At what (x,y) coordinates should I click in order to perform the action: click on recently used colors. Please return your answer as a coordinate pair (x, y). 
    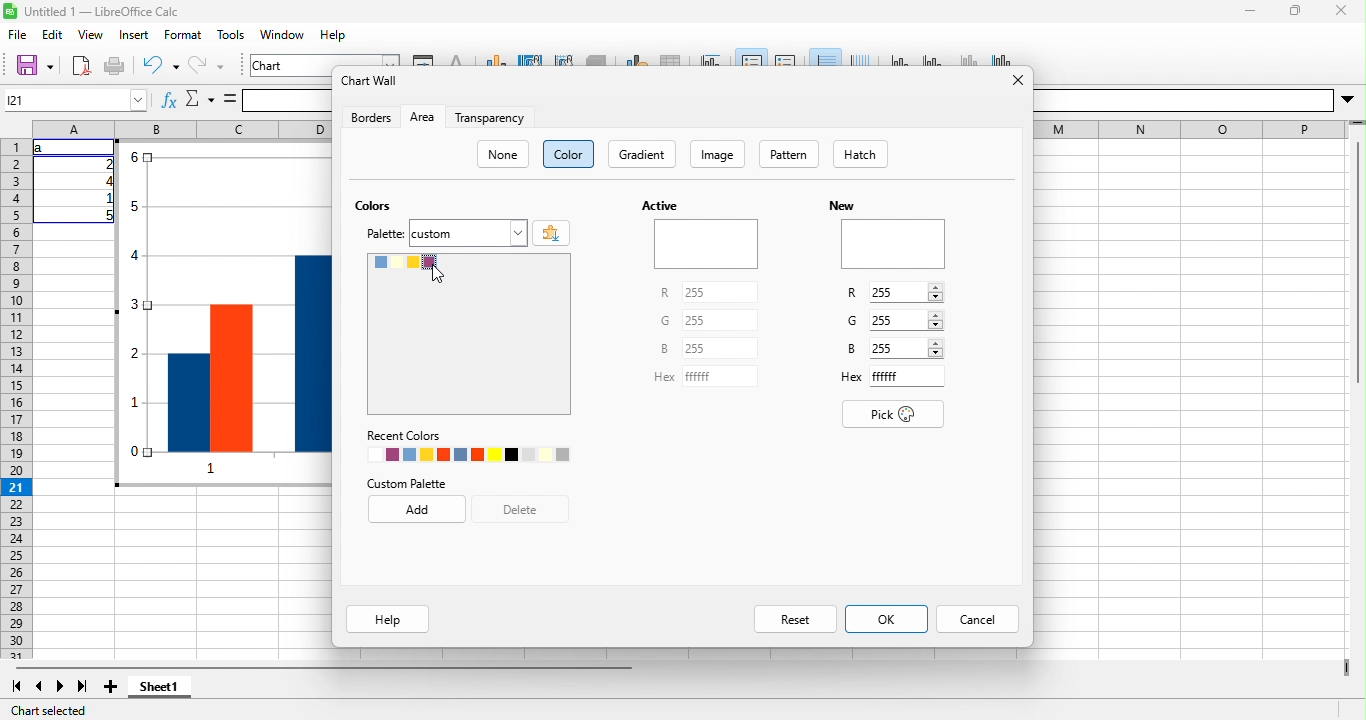
    Looking at the image, I should click on (468, 454).